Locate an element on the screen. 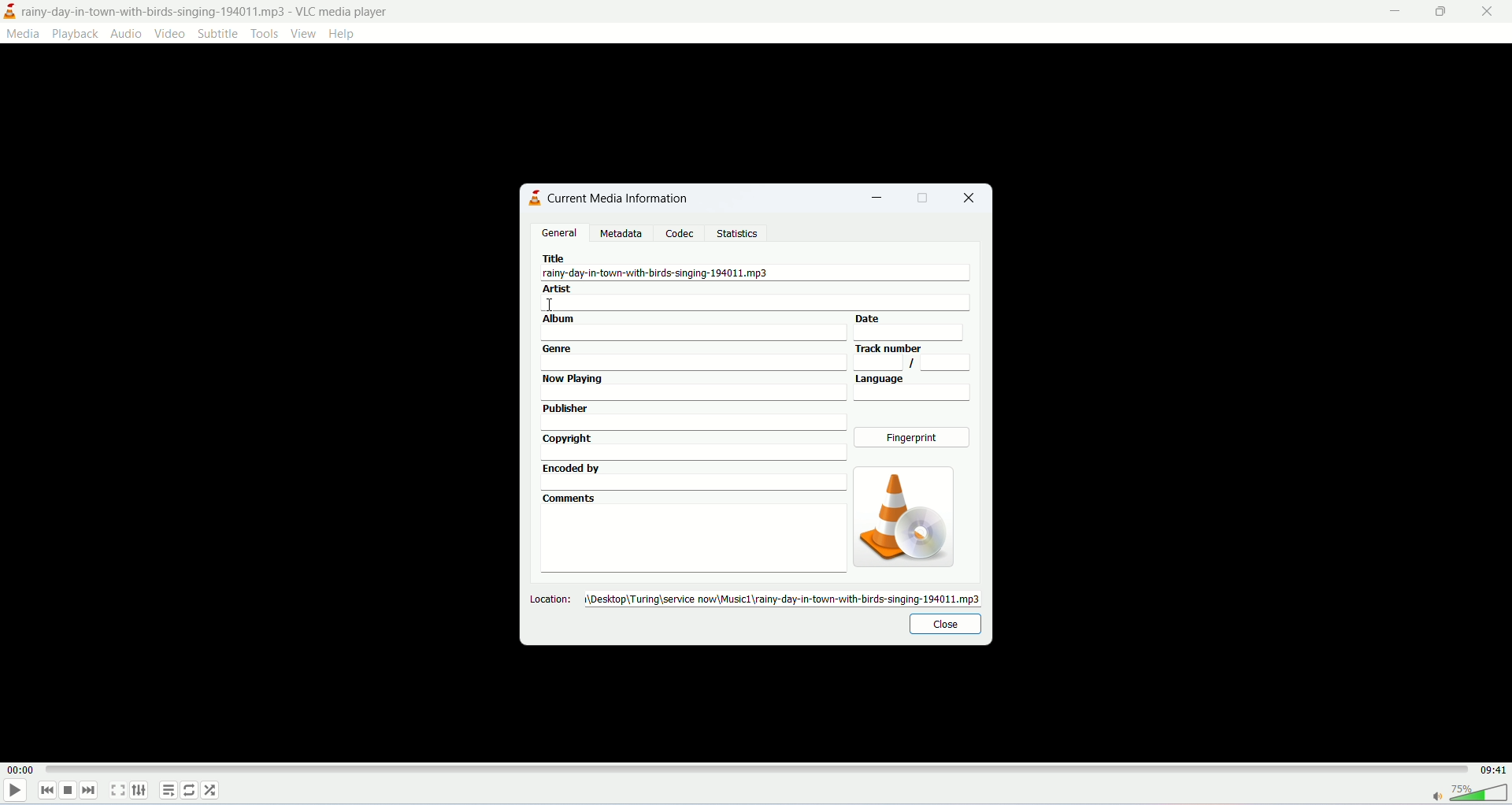 This screenshot has width=1512, height=805. artist is located at coordinates (757, 298).